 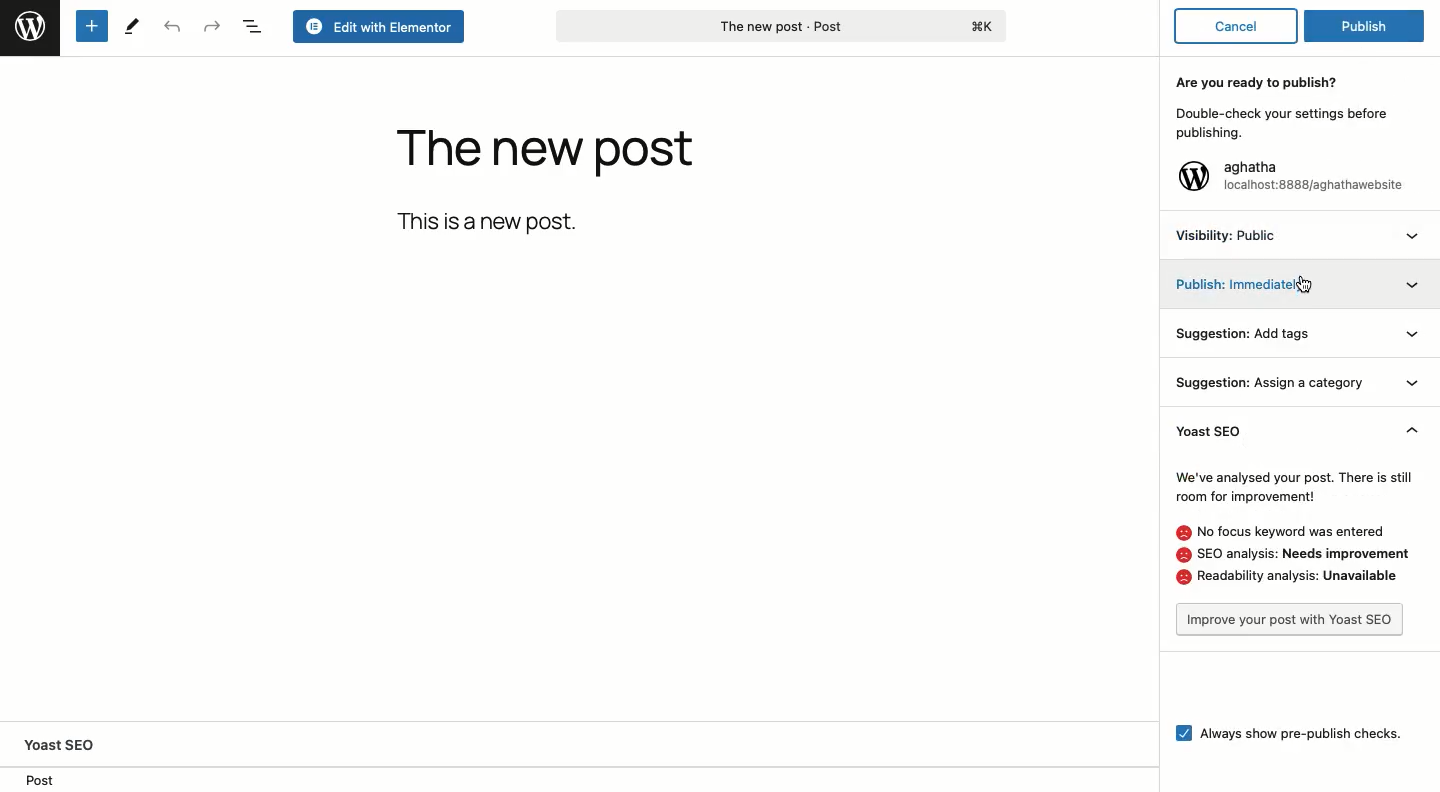 What do you see at coordinates (1193, 176) in the screenshot?
I see `Wordpress logo` at bounding box center [1193, 176].